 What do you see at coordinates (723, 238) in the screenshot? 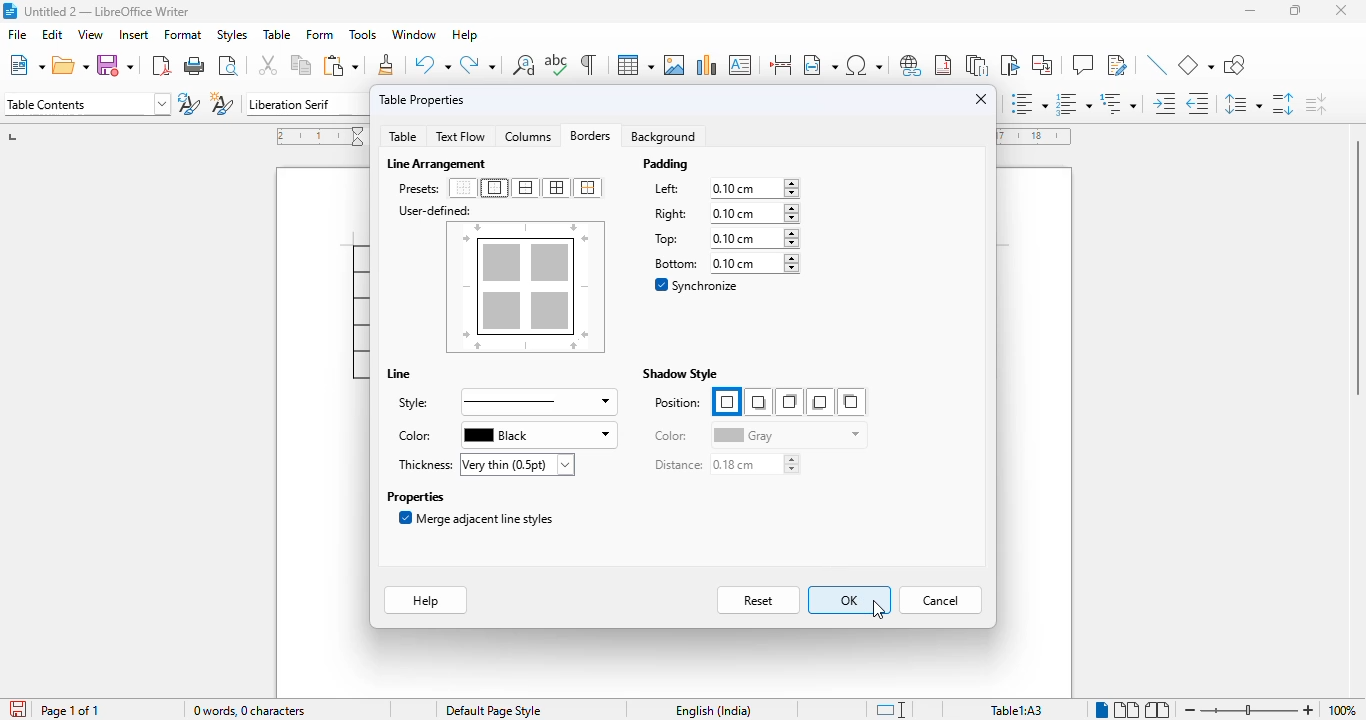
I see `top: 0.10 cm` at bounding box center [723, 238].